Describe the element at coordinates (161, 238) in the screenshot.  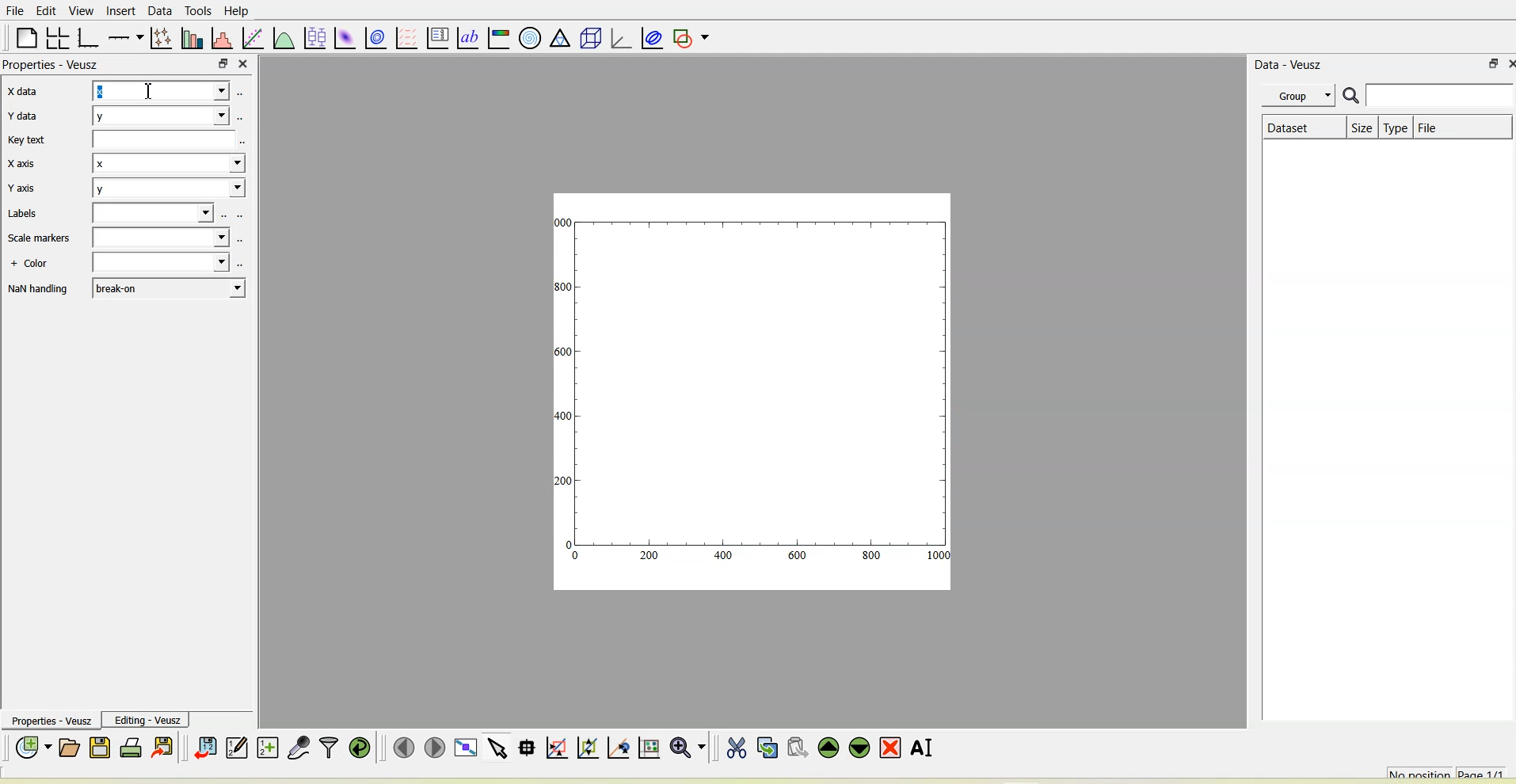
I see `Blank` at that location.